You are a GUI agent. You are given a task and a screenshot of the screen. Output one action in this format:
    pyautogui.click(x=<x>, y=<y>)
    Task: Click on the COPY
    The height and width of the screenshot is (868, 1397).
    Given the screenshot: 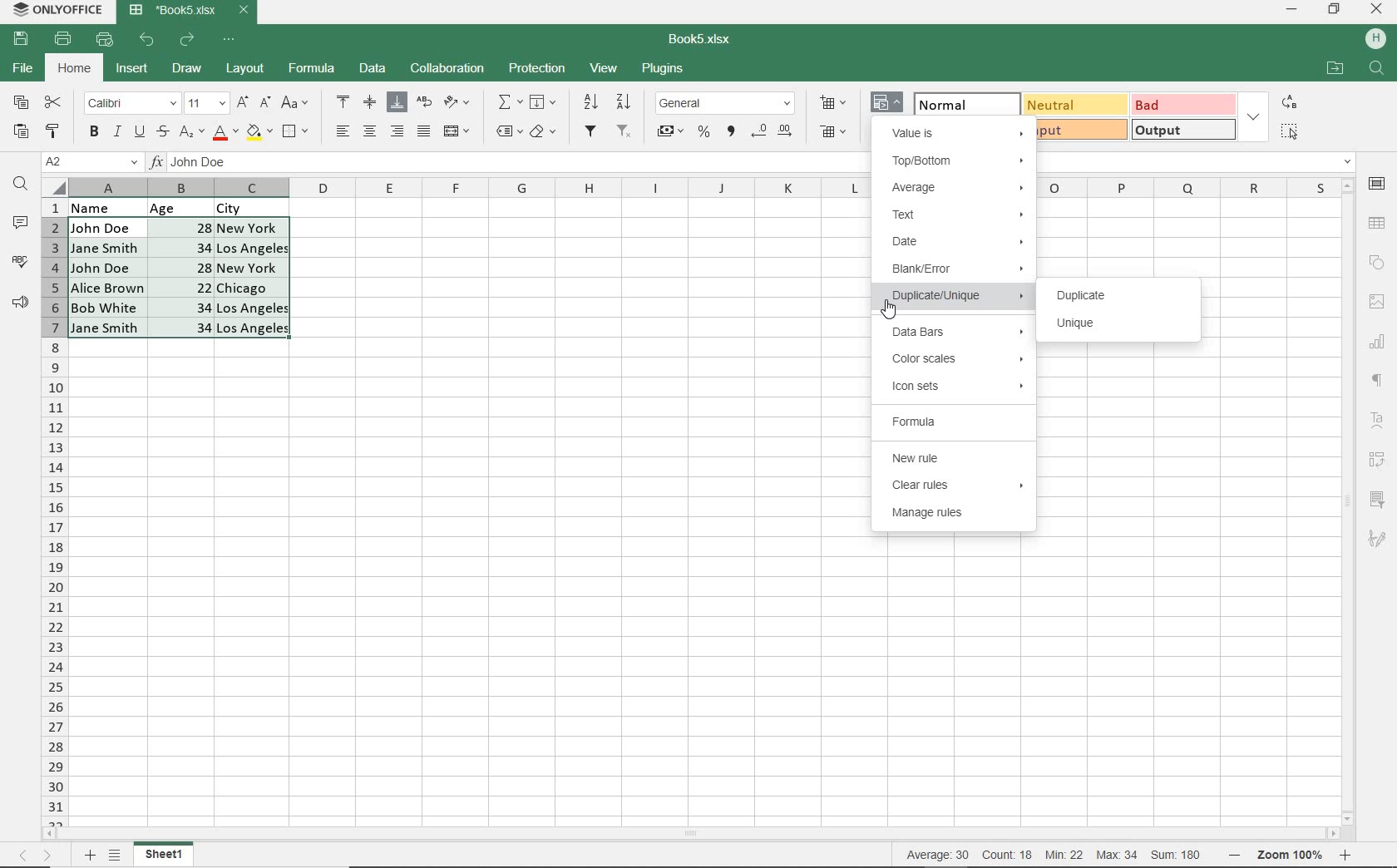 What is the action you would take?
    pyautogui.click(x=22, y=103)
    